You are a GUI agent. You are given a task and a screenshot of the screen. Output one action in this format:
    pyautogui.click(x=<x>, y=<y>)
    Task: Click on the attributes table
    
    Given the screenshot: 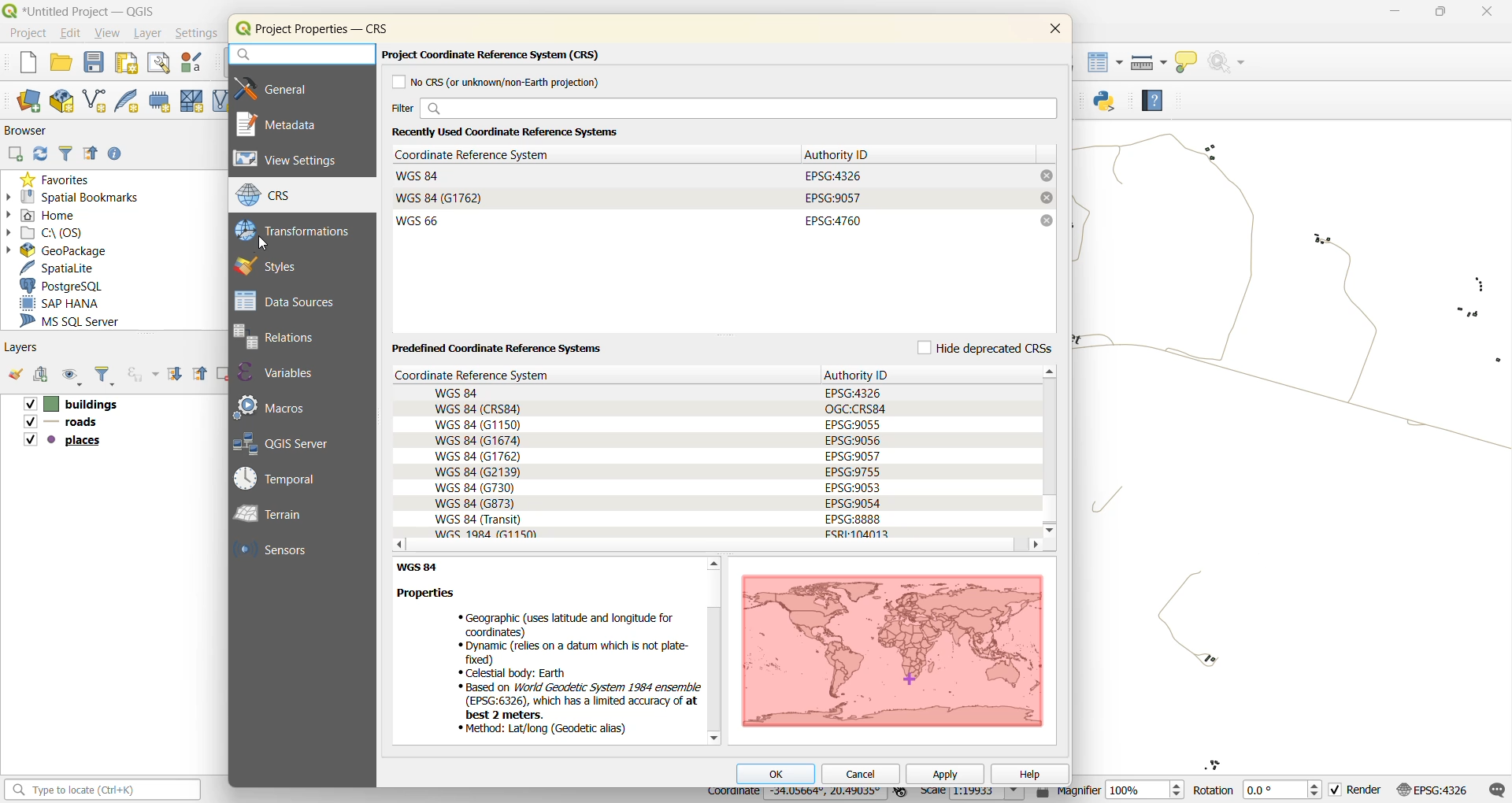 What is the action you would take?
    pyautogui.click(x=1106, y=67)
    